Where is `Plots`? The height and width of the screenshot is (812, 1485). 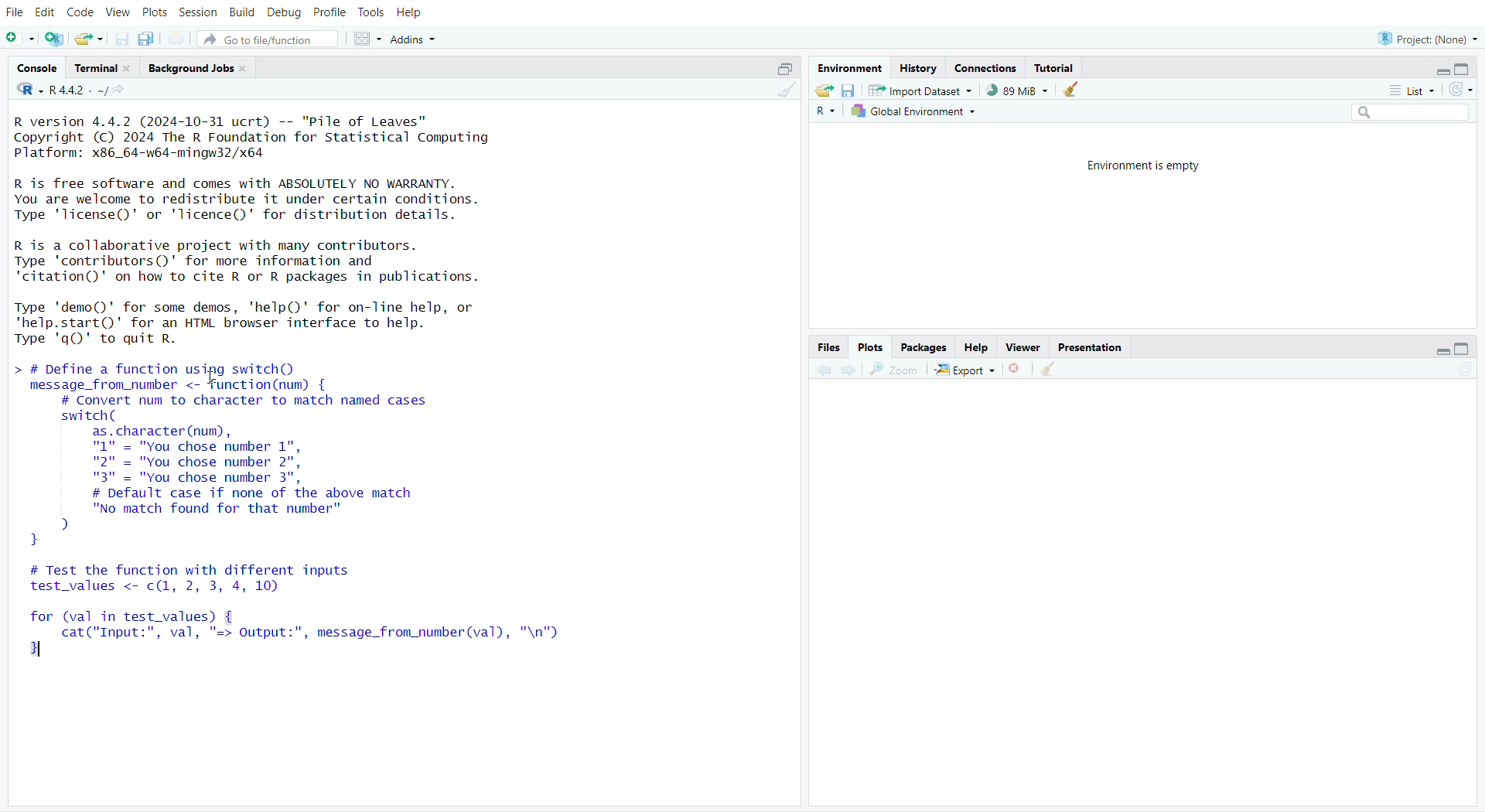
Plots is located at coordinates (153, 12).